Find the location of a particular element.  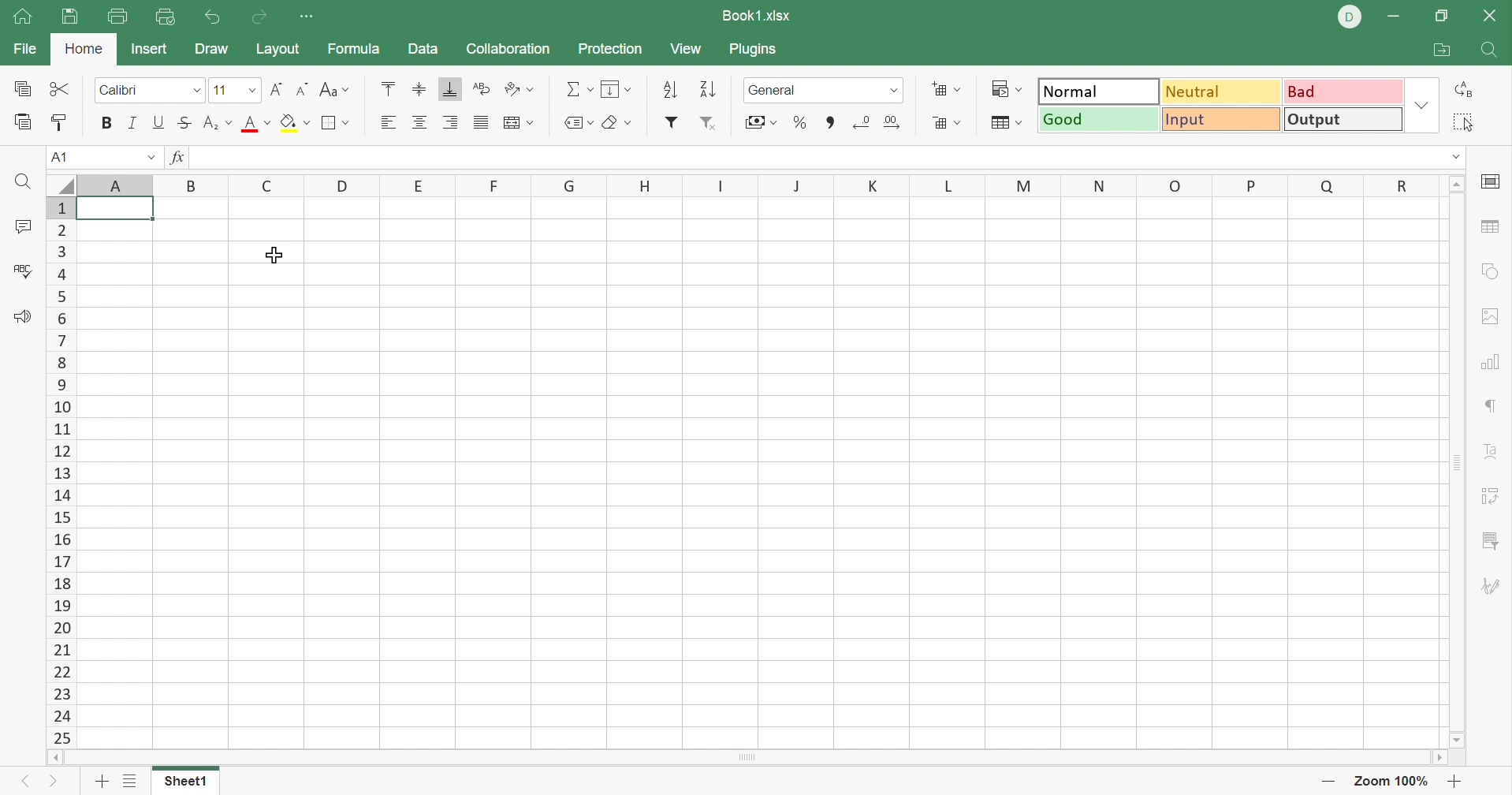

Zoom 100% is located at coordinates (1394, 780).